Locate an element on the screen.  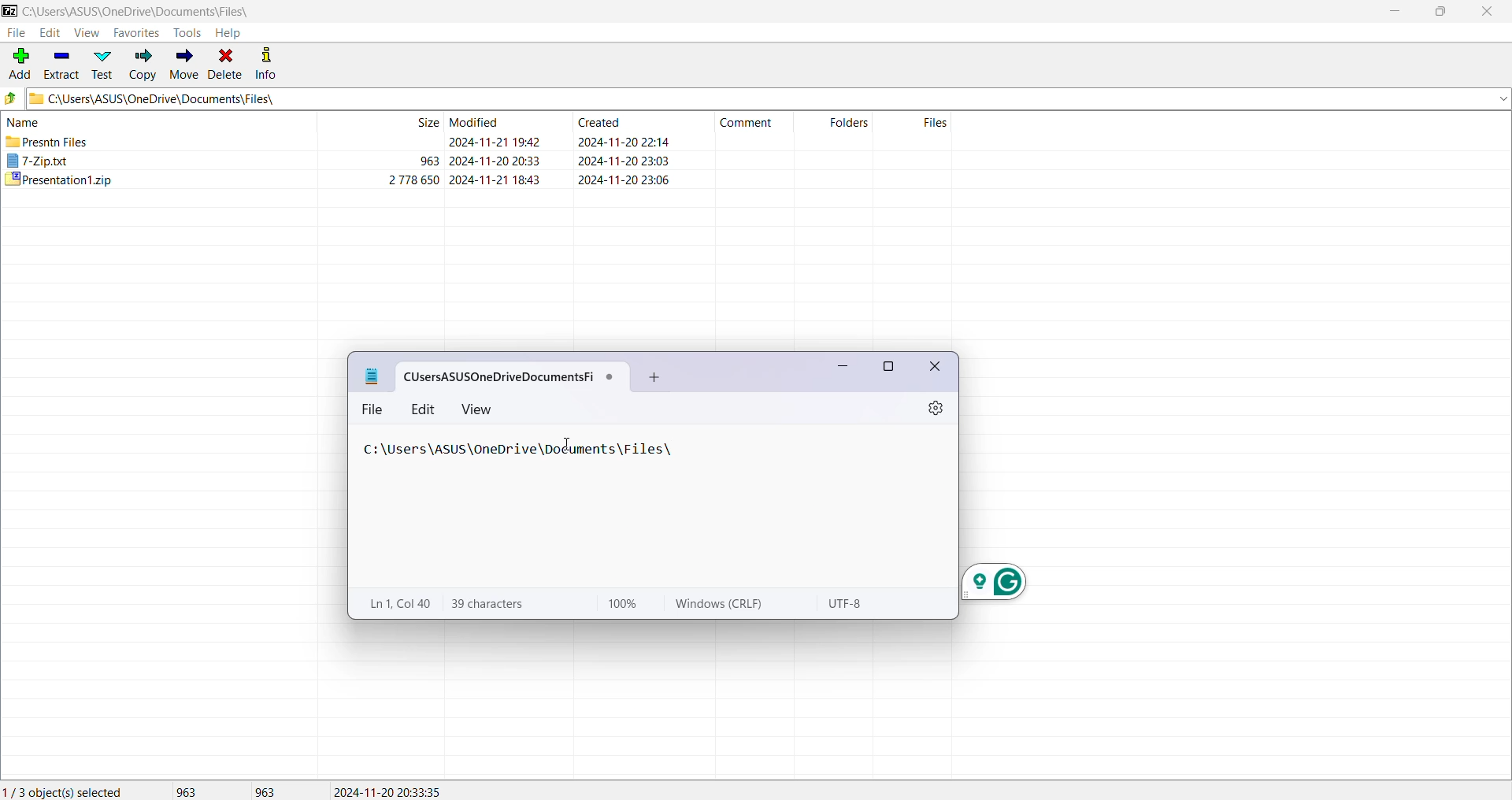
2 778 650 is located at coordinates (414, 179).